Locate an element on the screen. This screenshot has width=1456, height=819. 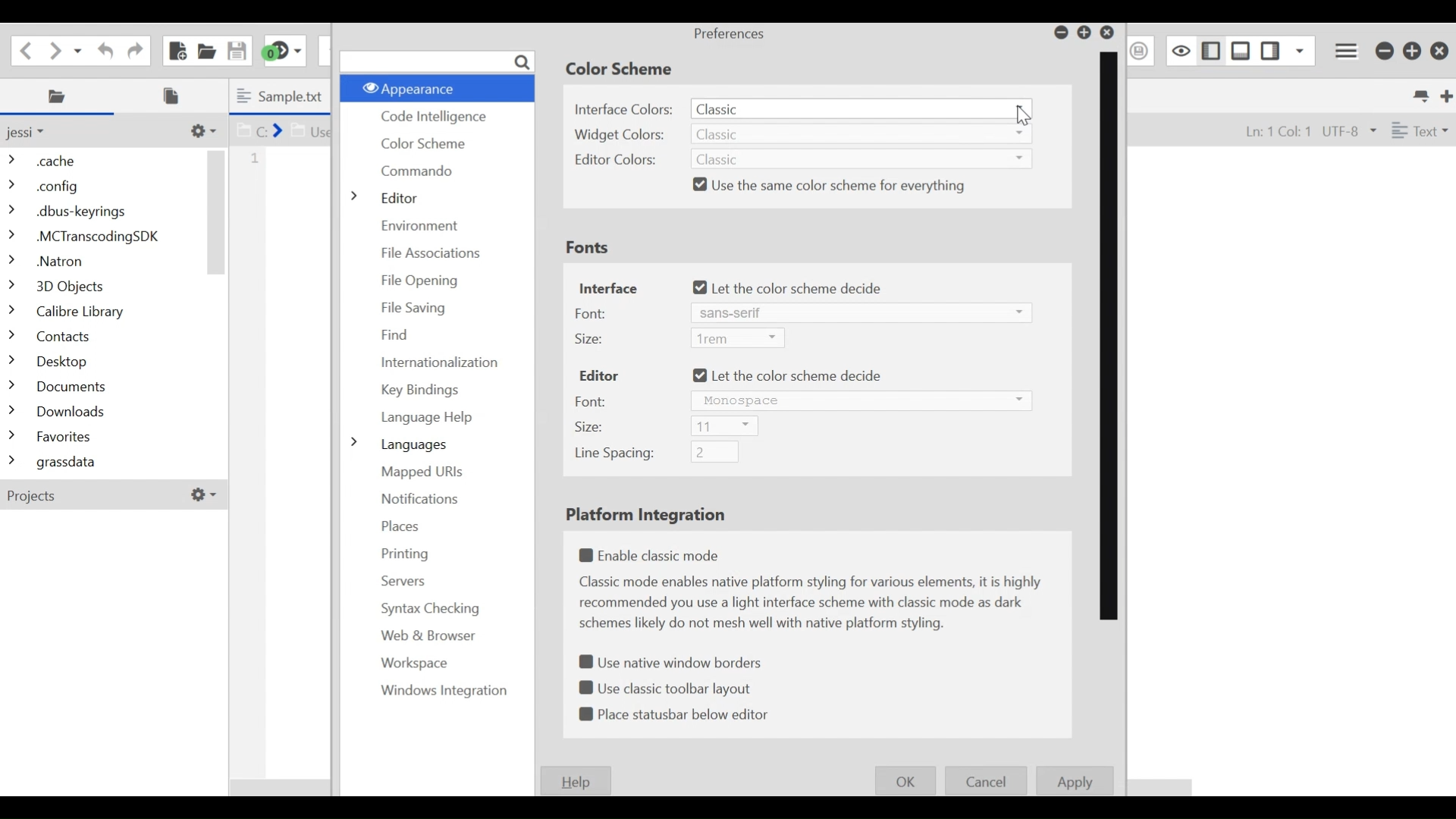
Environment is located at coordinates (425, 224).